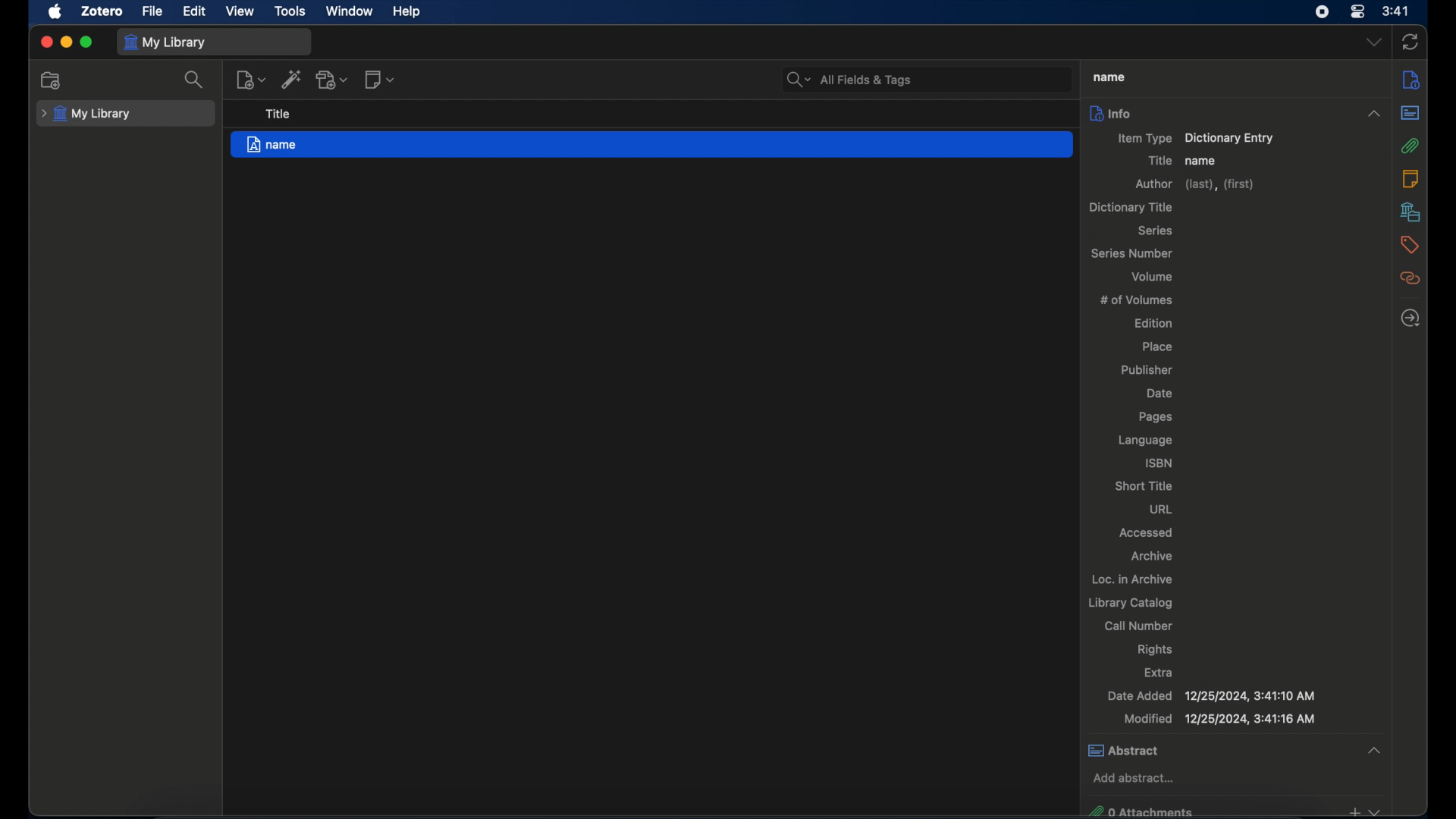  I want to click on my library, so click(86, 115).